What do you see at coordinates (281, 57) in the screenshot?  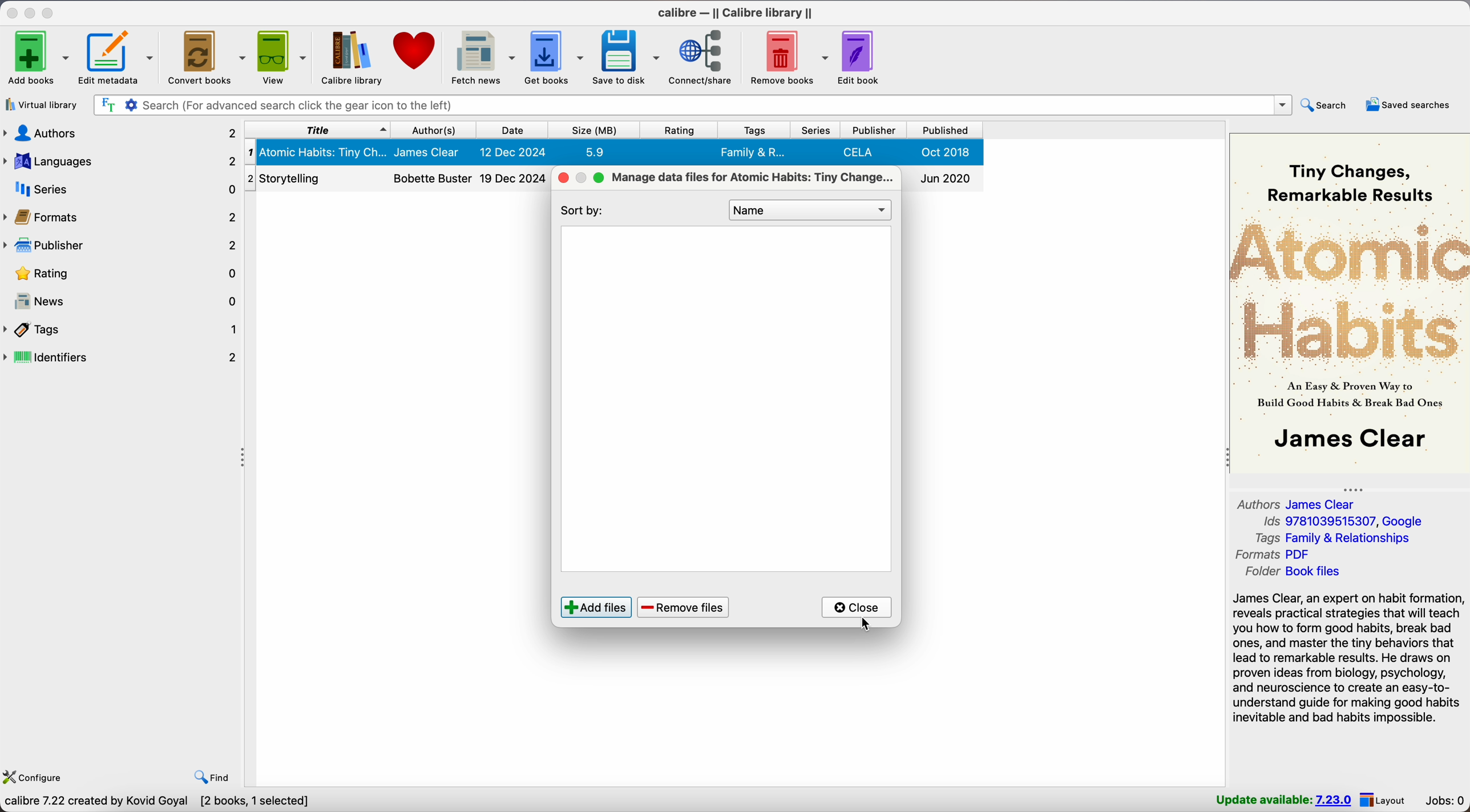 I see `view` at bounding box center [281, 57].